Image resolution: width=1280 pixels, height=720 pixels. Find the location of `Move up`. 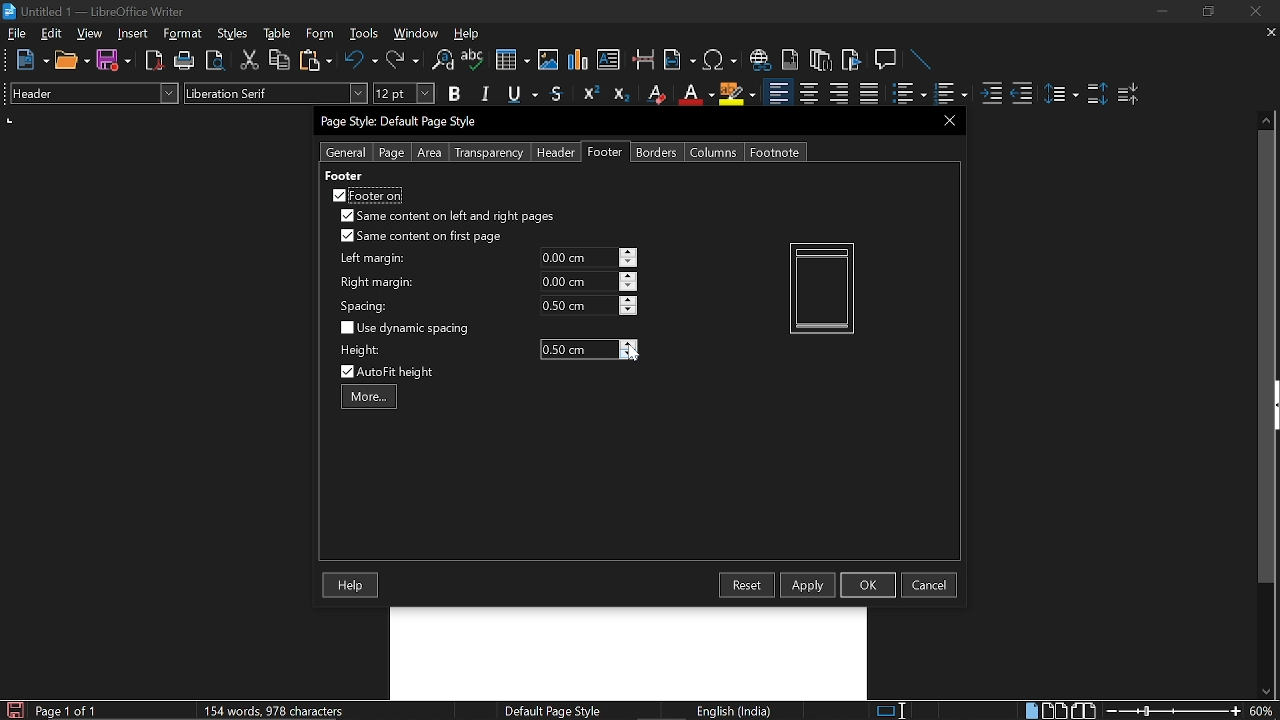

Move up is located at coordinates (1267, 118).